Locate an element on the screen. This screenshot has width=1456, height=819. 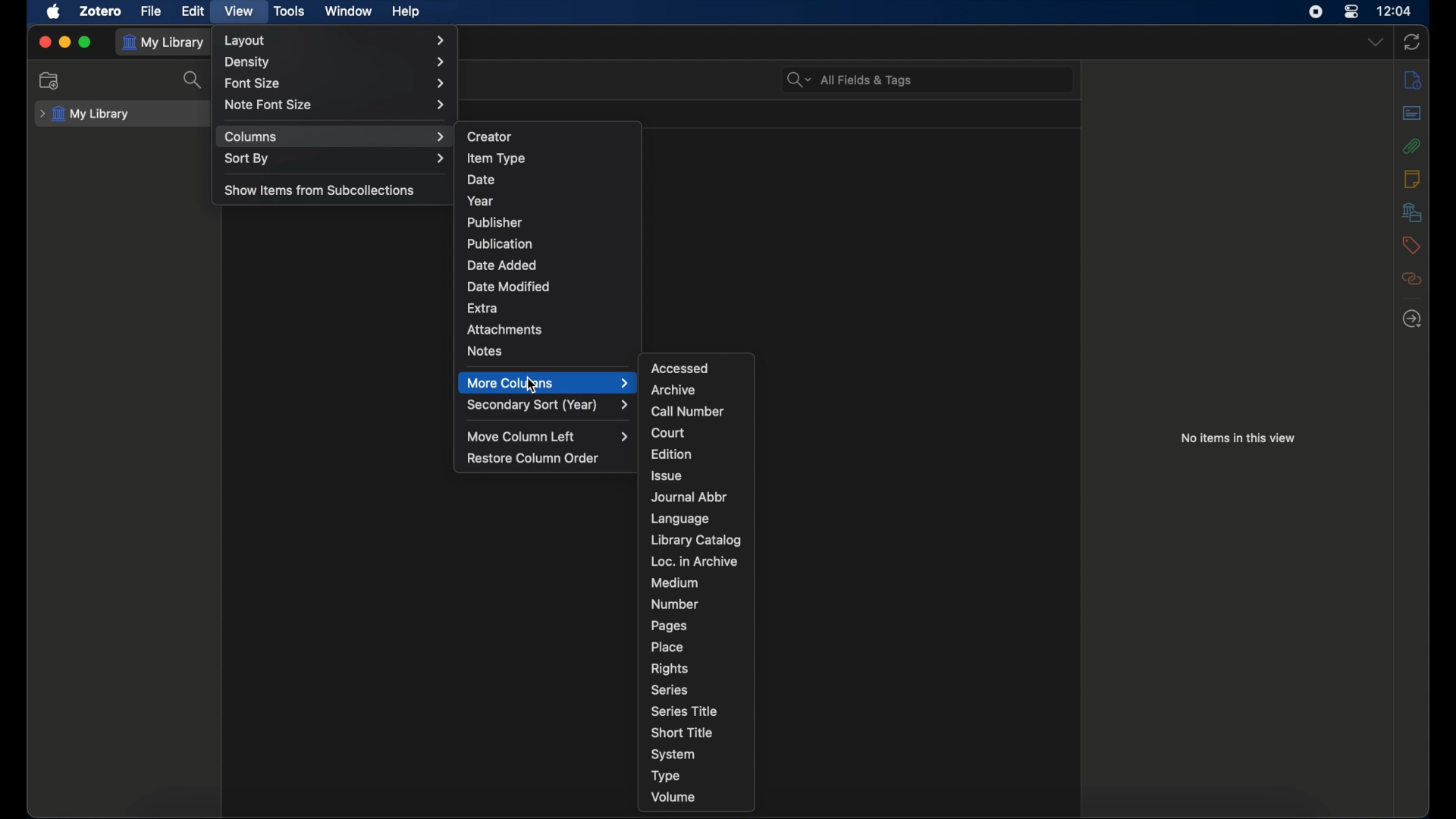
apple  is located at coordinates (54, 11).